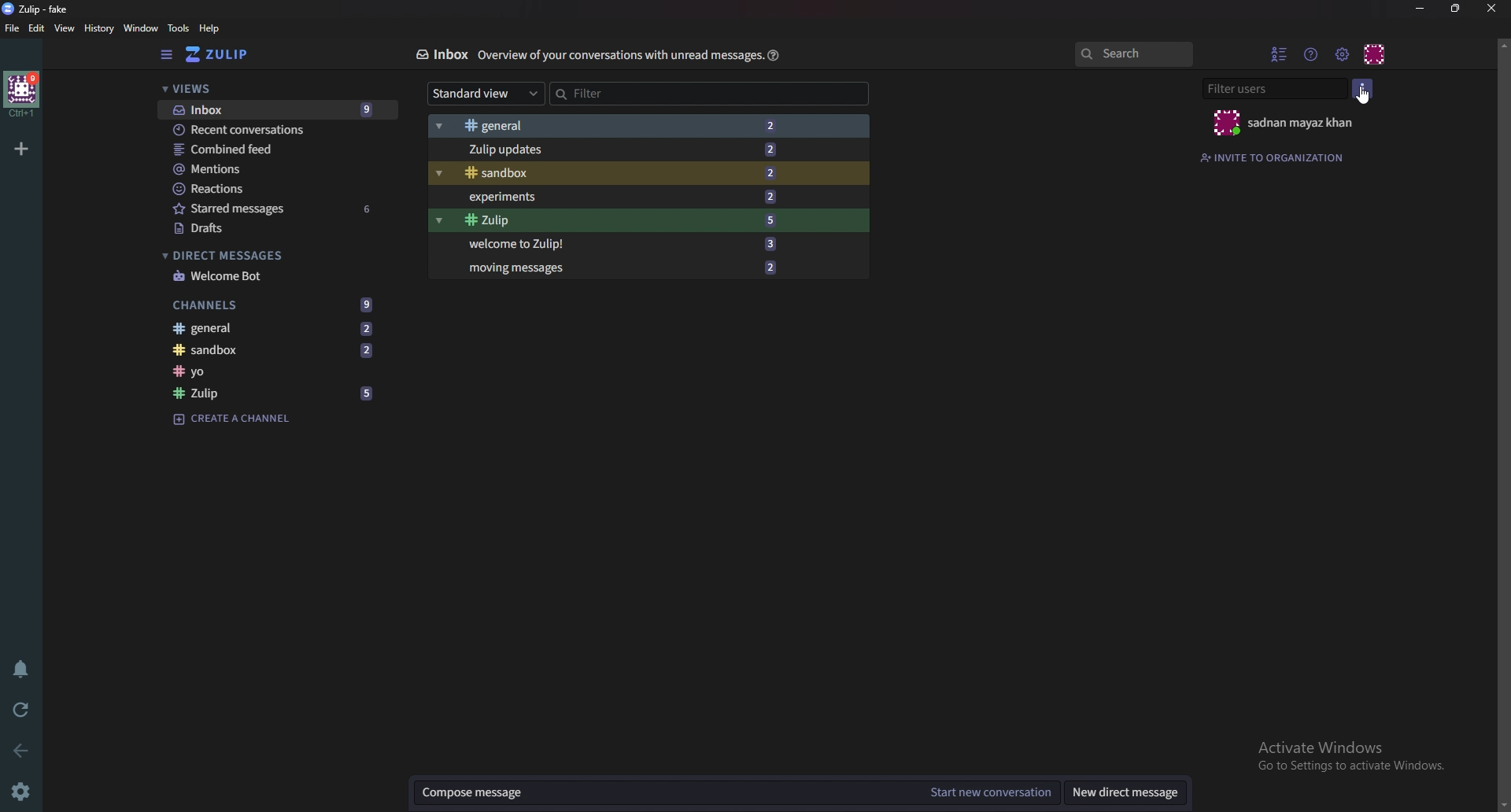 Image resolution: width=1511 pixels, height=812 pixels. Describe the element at coordinates (775, 55) in the screenshot. I see `help` at that location.